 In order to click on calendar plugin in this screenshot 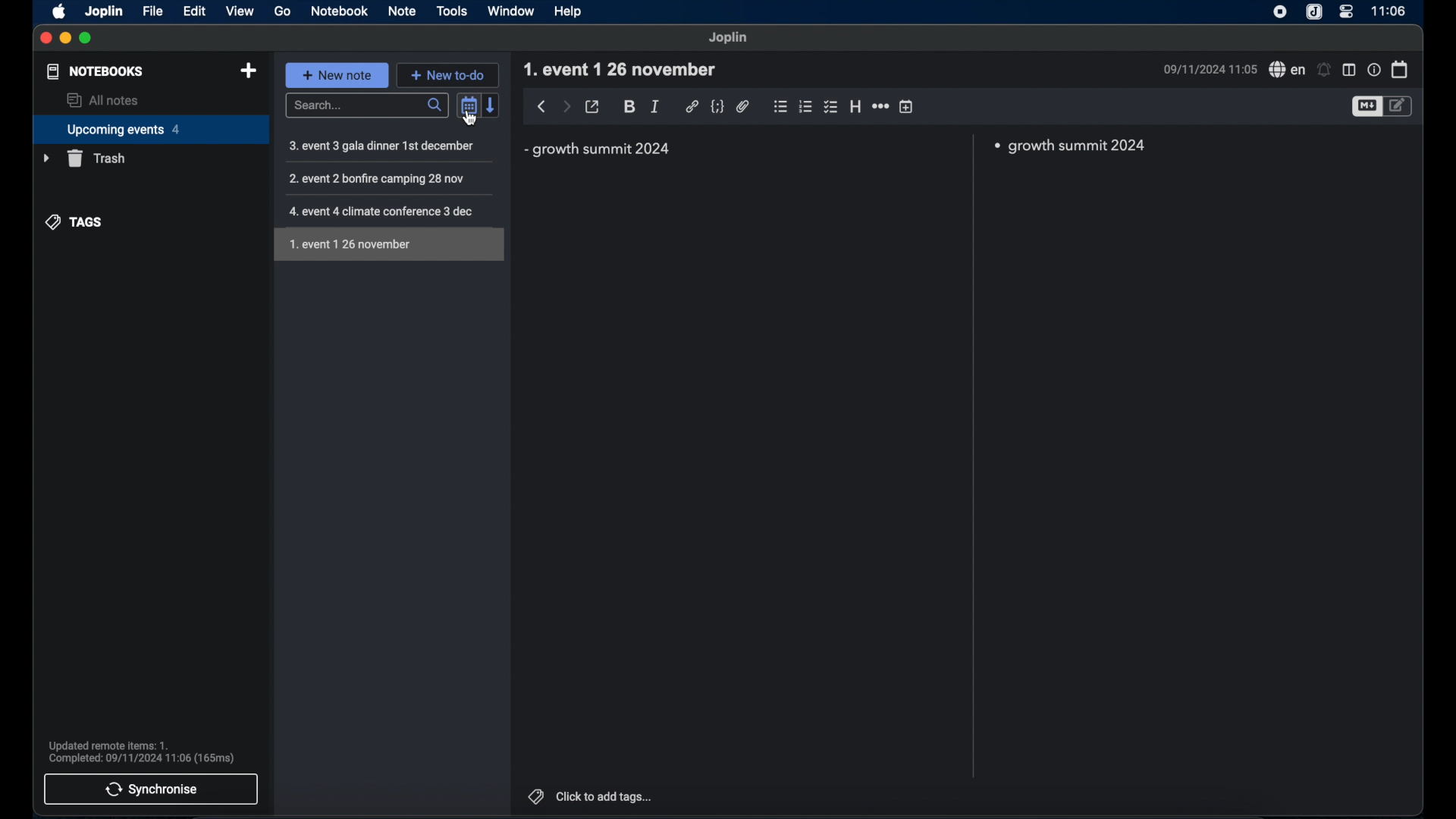, I will do `click(1401, 70)`.